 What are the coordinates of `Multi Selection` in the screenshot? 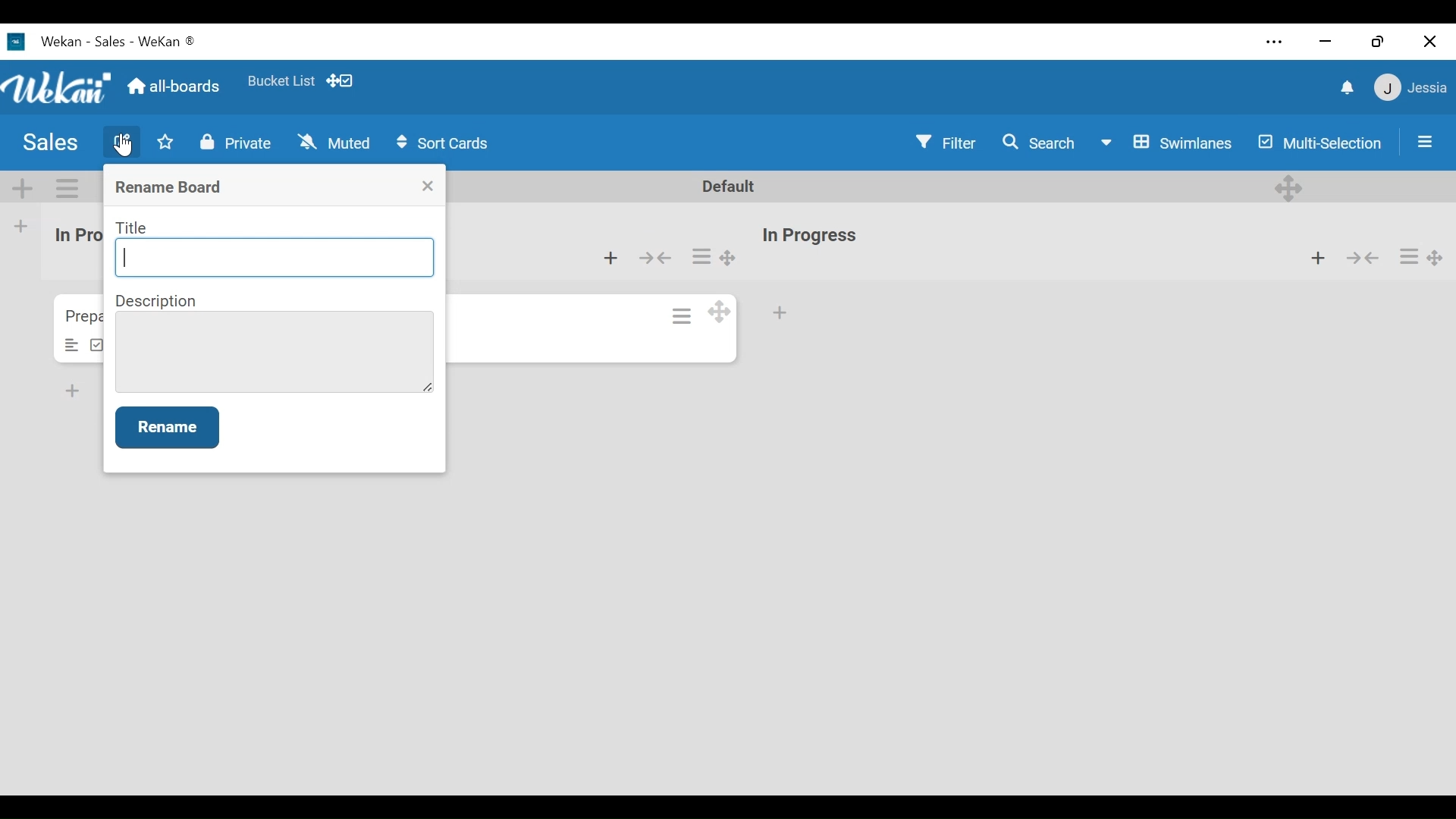 It's located at (1321, 145).